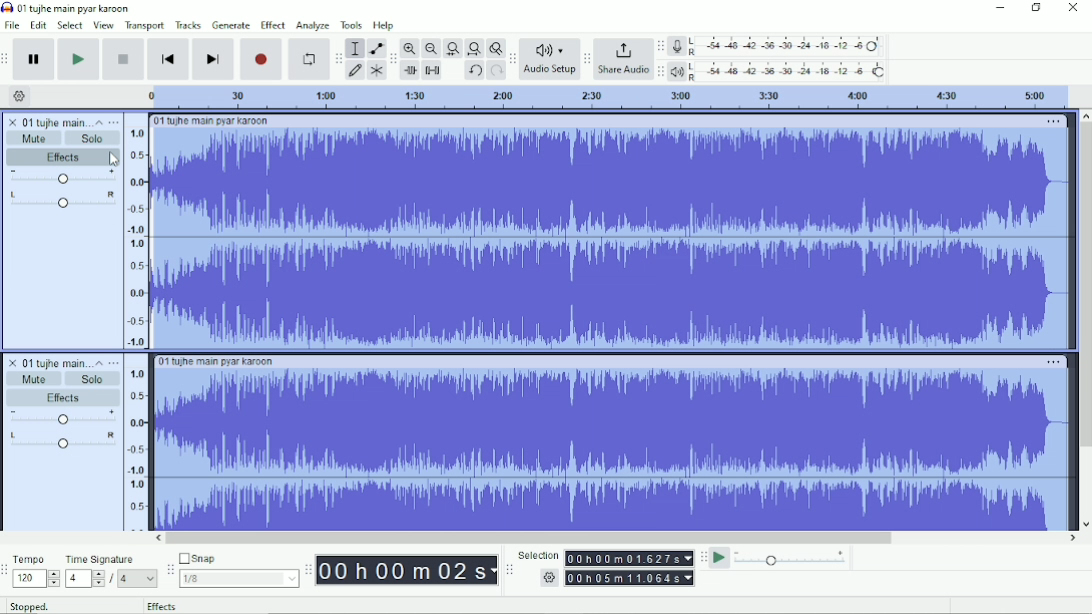 Image resolution: width=1092 pixels, height=614 pixels. I want to click on 00 h 00 m 00.00s, so click(630, 578).